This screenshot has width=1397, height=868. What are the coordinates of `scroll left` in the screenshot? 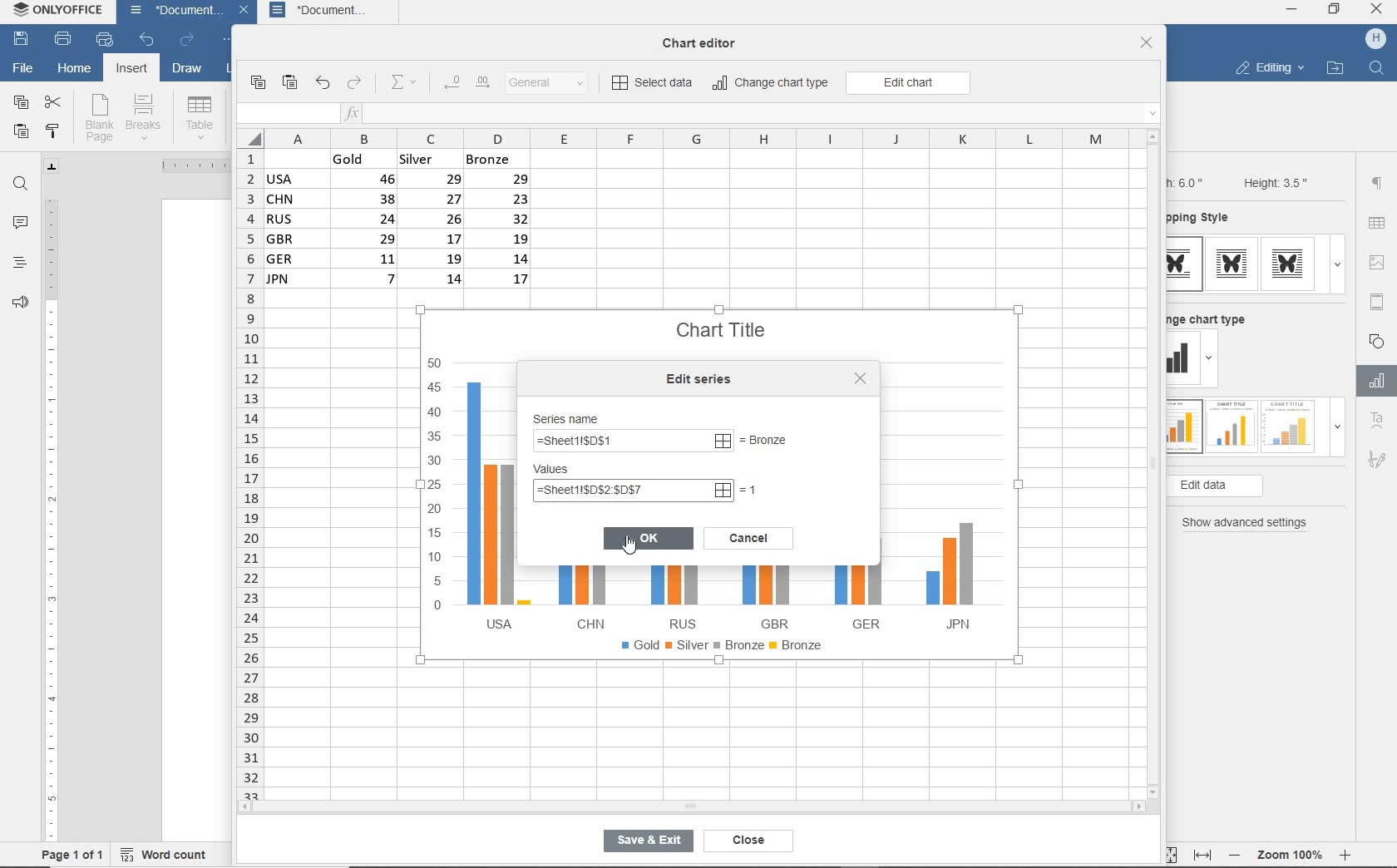 It's located at (249, 808).